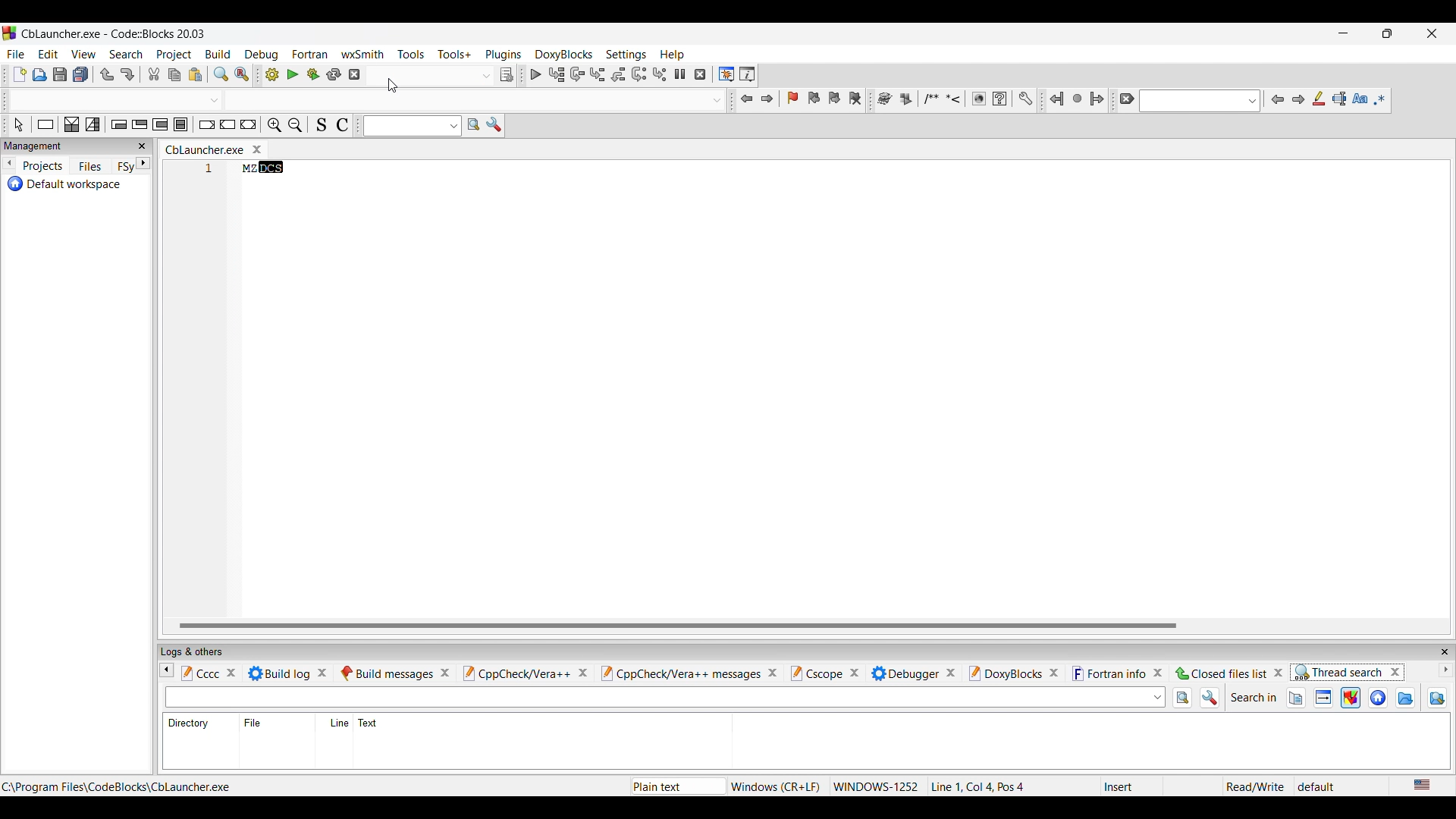  I want to click on Toggle source, so click(321, 125).